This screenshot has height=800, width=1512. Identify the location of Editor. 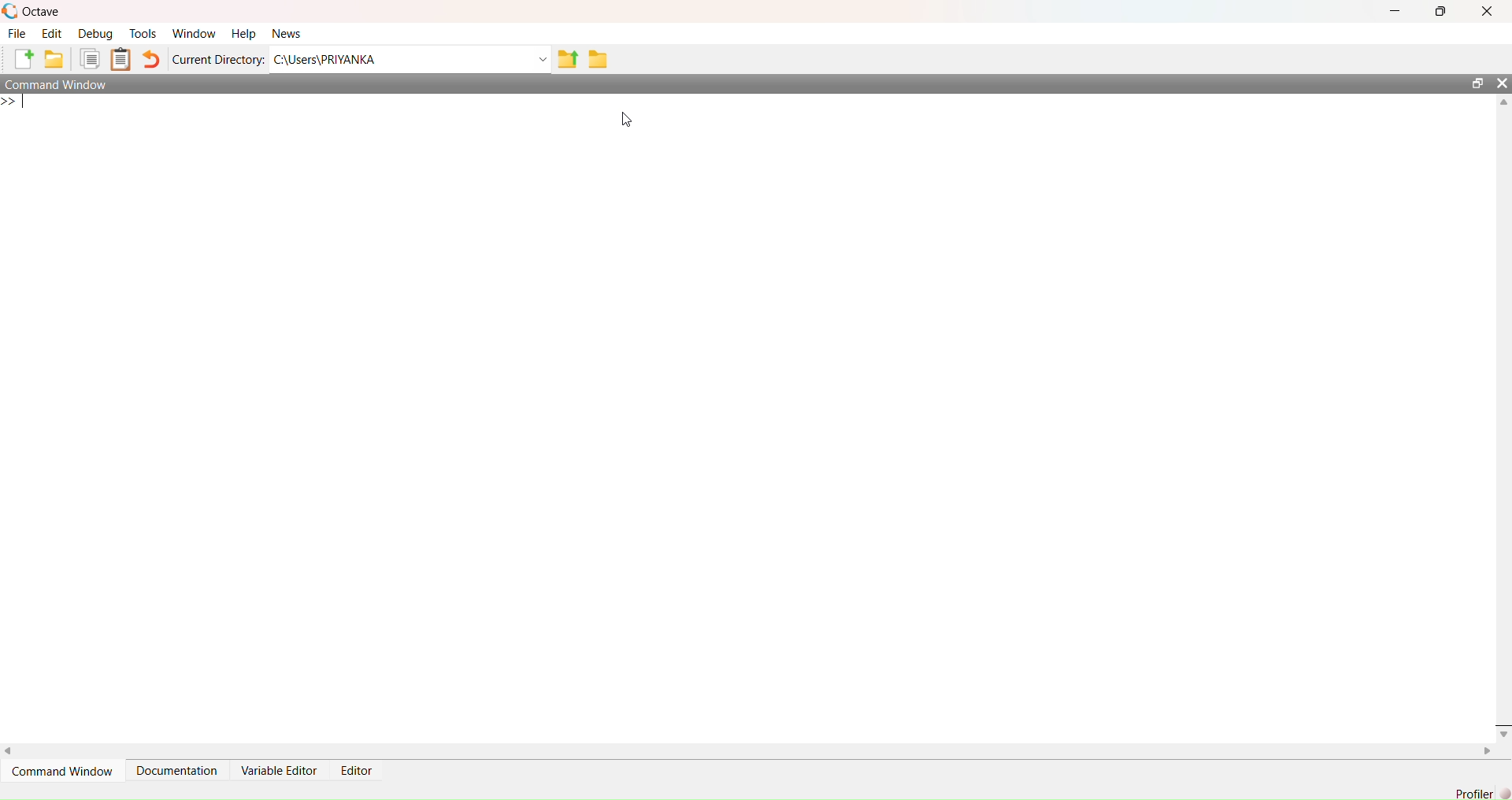
(358, 772).